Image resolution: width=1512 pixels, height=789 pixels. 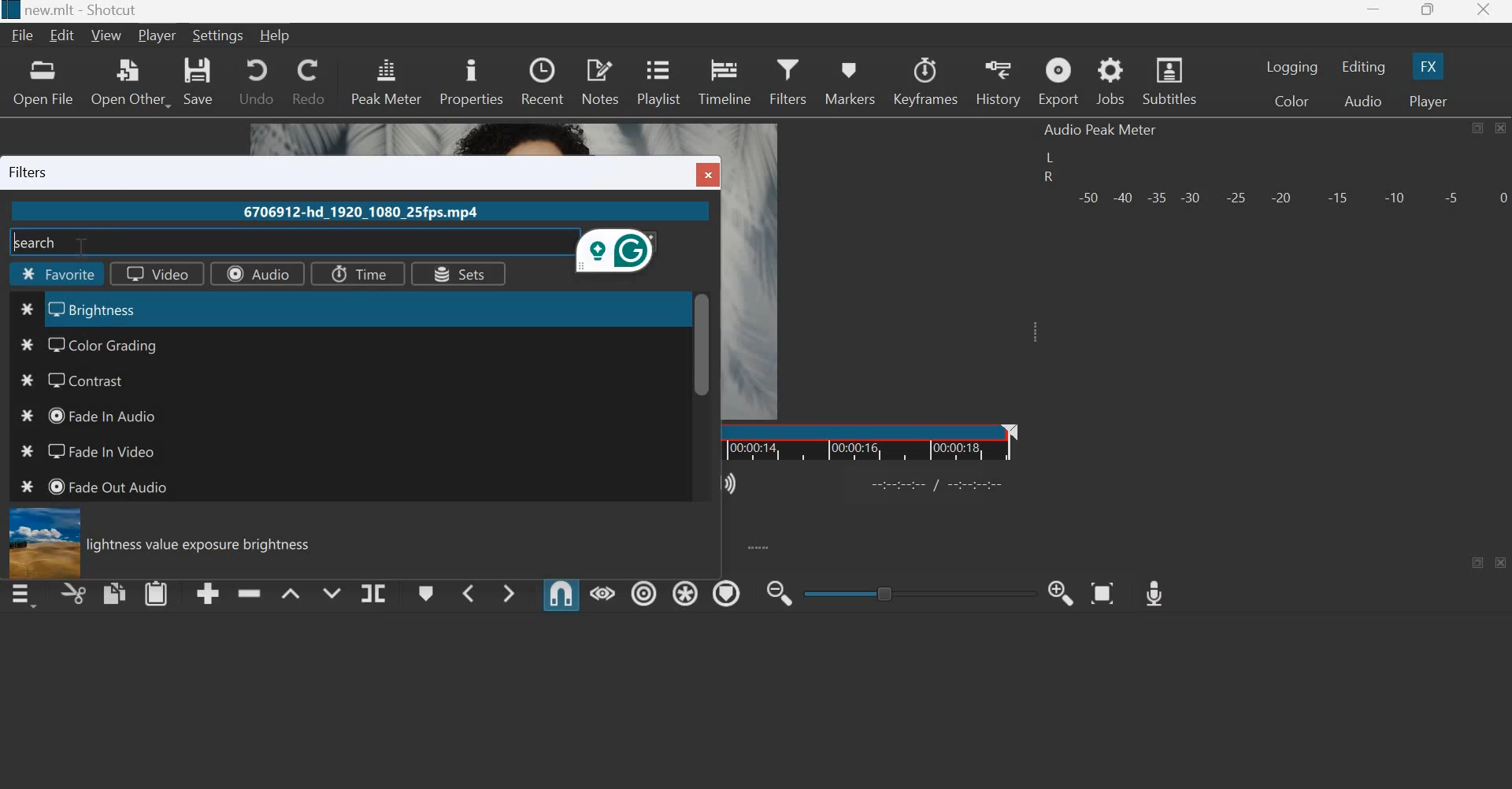 I want to click on paste, so click(x=157, y=592).